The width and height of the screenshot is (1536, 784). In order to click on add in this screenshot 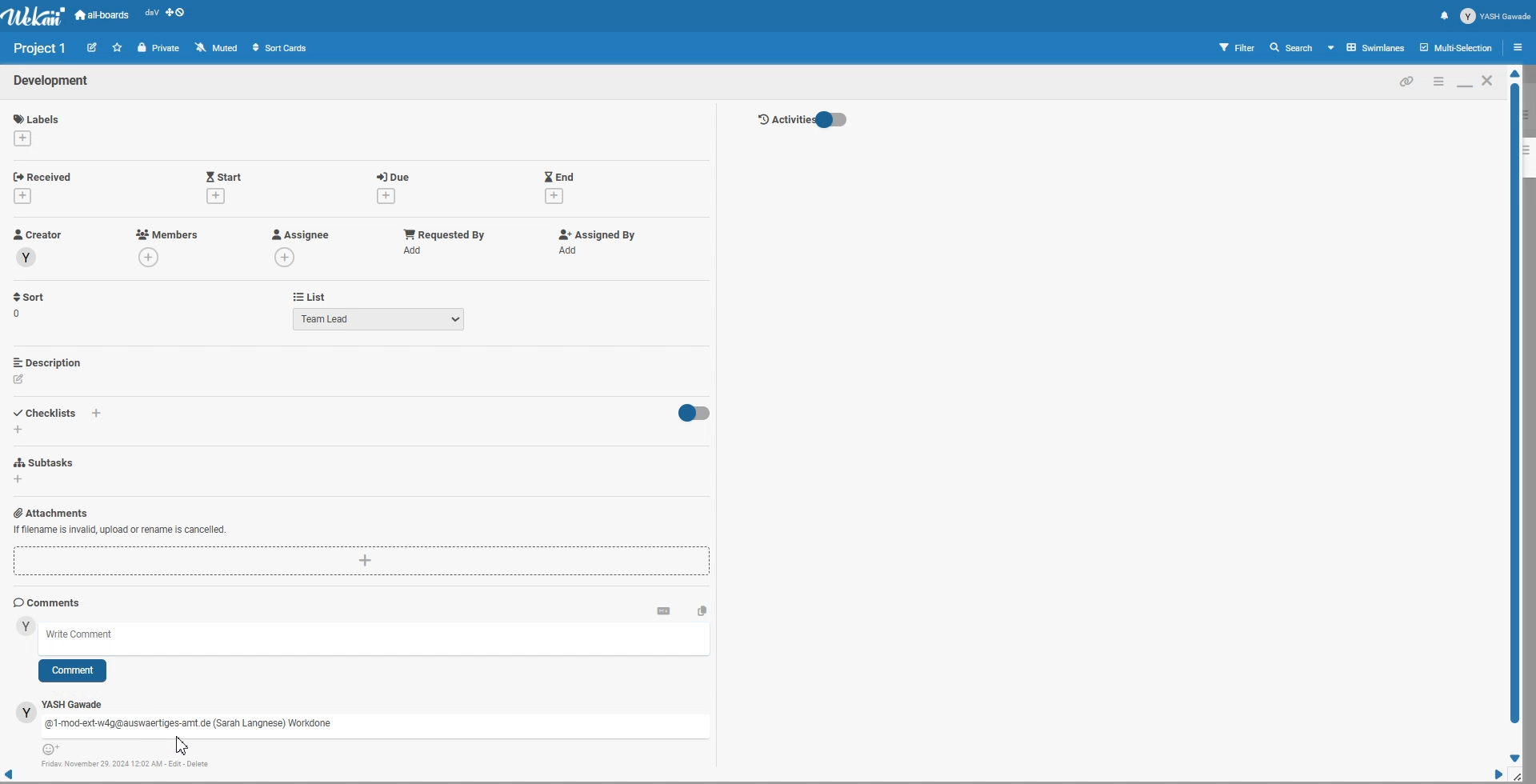, I will do `click(416, 250)`.